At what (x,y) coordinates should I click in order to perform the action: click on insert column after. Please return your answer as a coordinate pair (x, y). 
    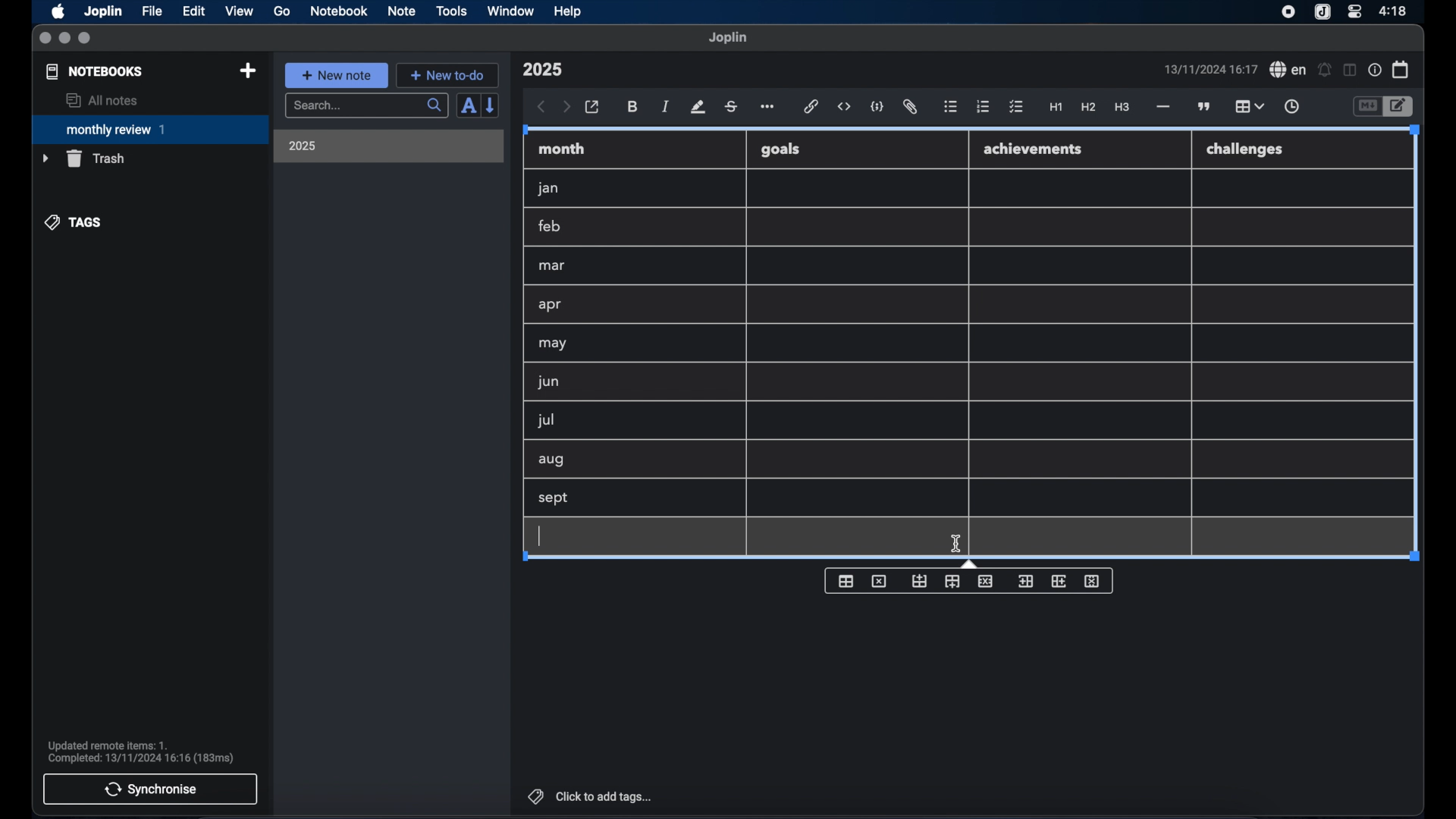
    Looking at the image, I should click on (1059, 581).